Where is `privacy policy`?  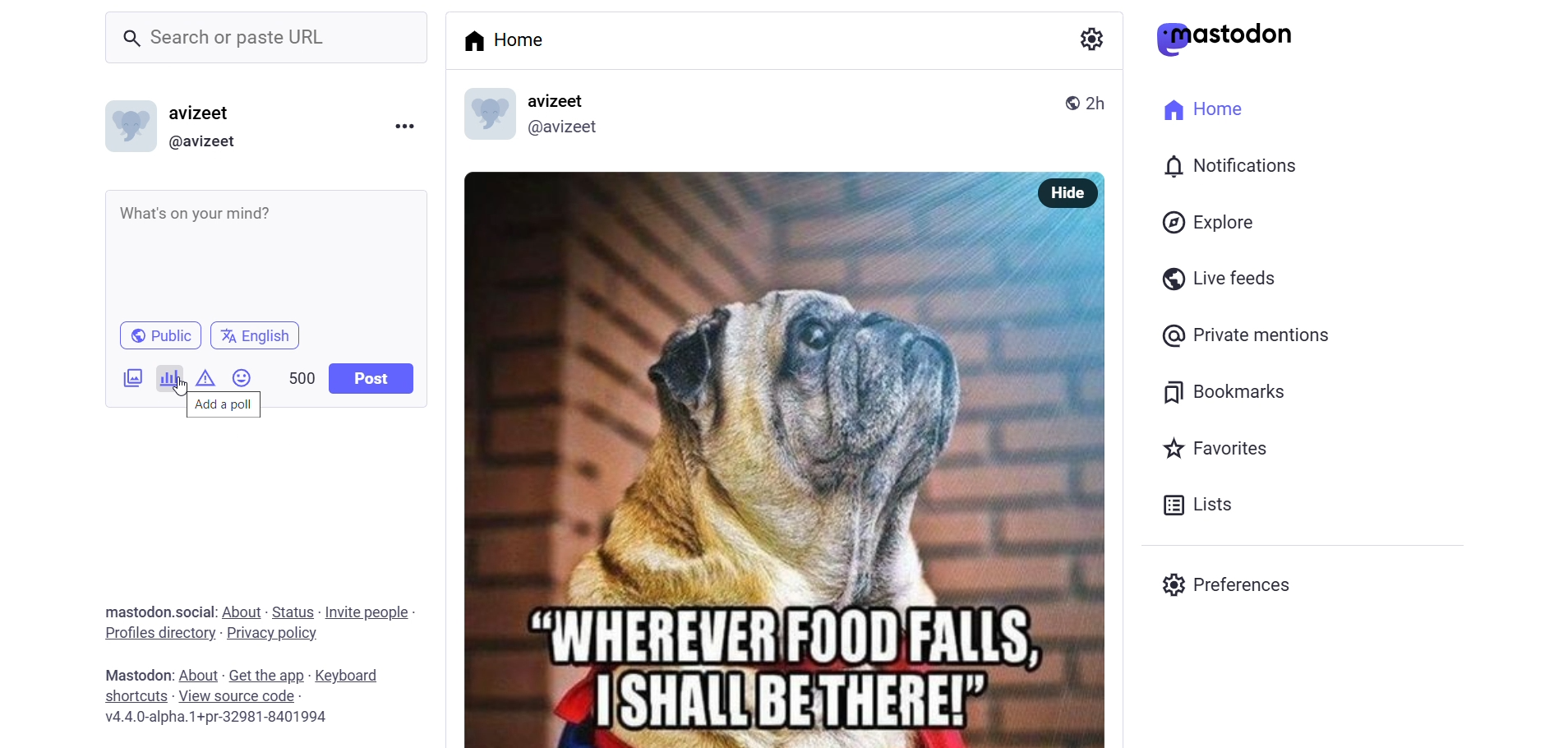 privacy policy is located at coordinates (272, 635).